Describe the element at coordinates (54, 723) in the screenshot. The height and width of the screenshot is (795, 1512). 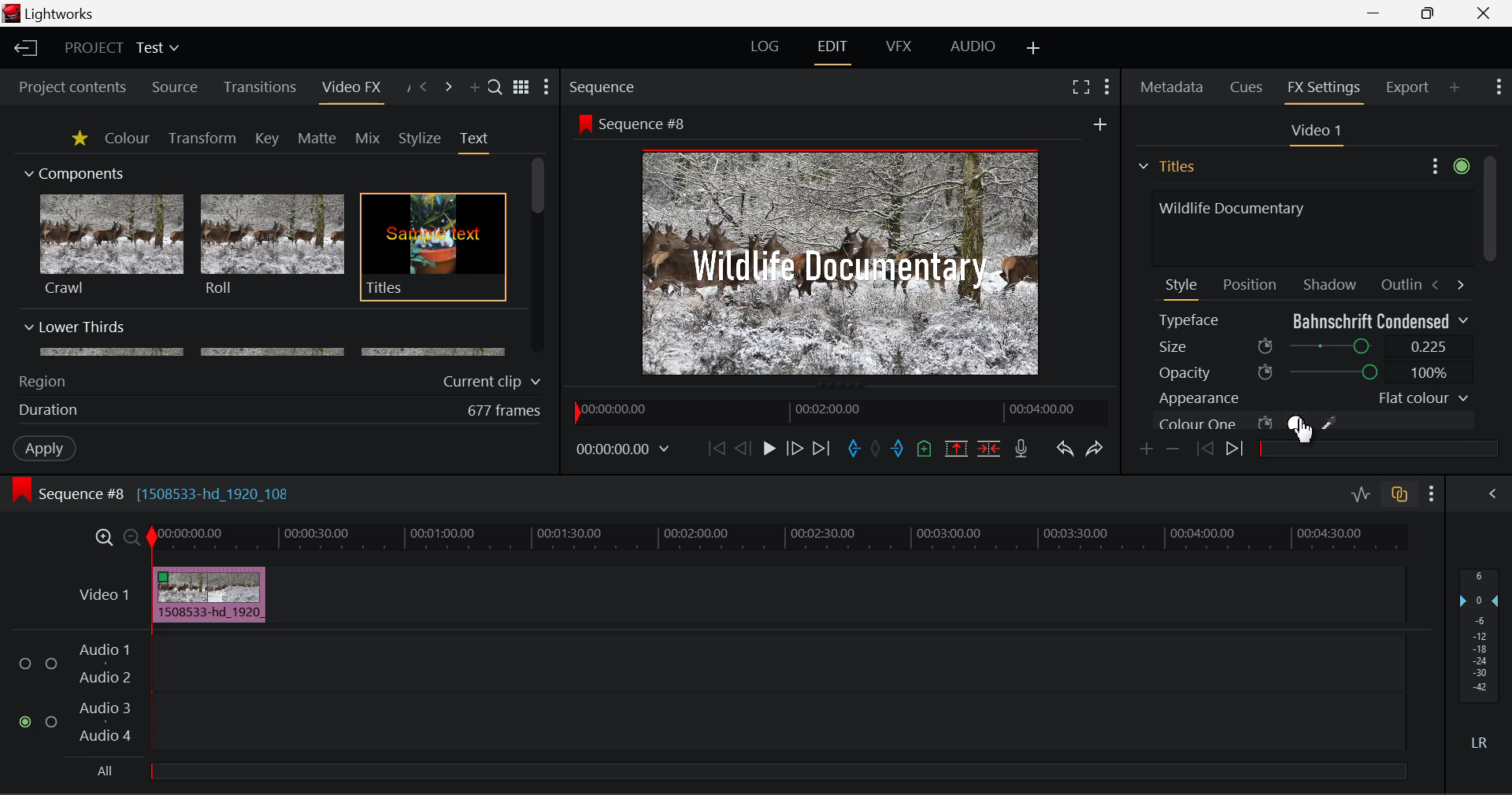
I see `checkbox` at that location.